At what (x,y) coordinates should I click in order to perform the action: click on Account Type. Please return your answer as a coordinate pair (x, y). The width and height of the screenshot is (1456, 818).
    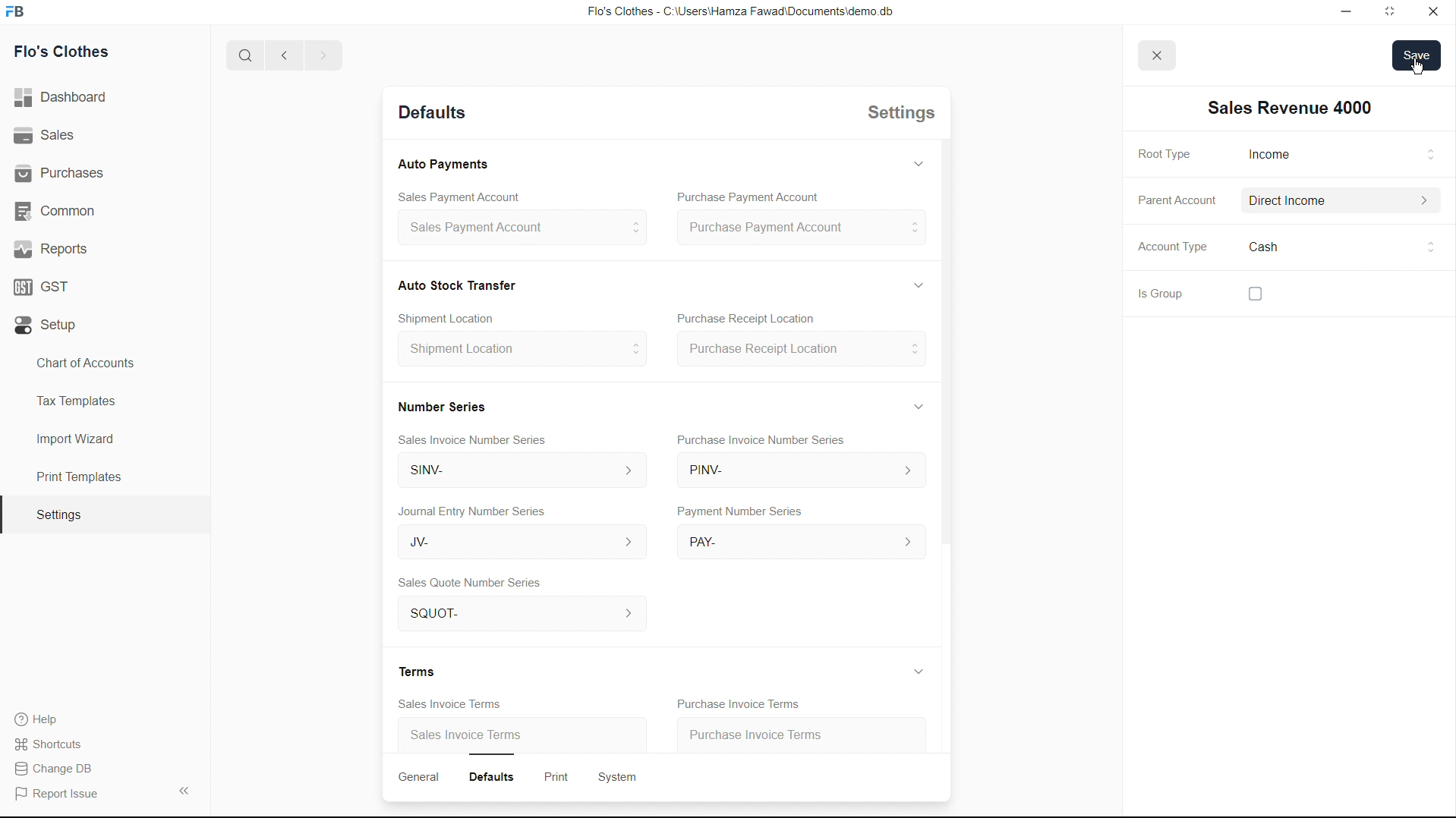
    Looking at the image, I should click on (1170, 250).